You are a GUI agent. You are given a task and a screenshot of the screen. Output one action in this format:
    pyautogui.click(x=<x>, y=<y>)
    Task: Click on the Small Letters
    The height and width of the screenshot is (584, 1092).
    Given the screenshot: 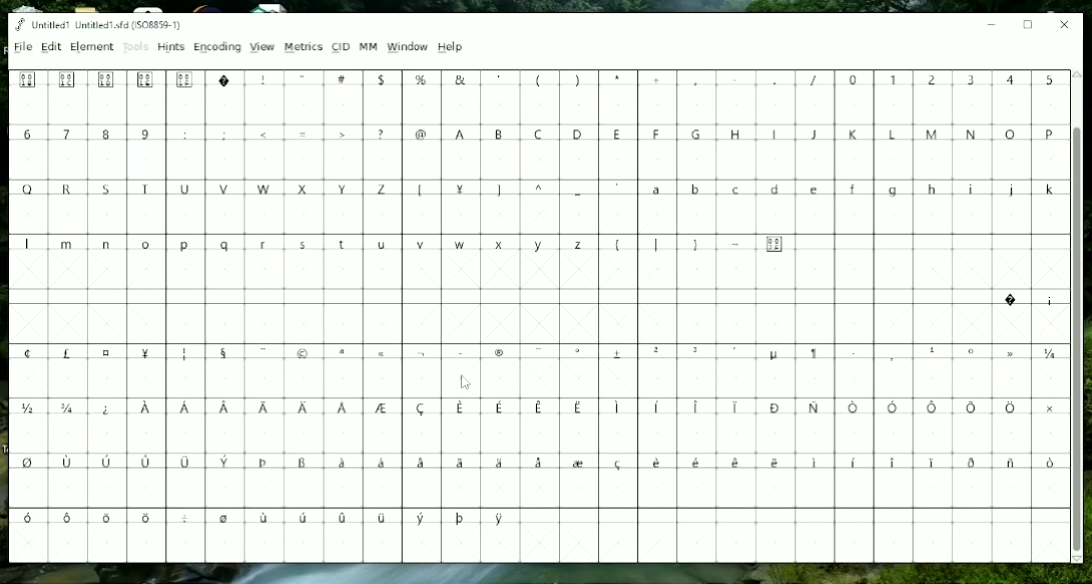 What is the action you would take?
    pyautogui.click(x=304, y=247)
    